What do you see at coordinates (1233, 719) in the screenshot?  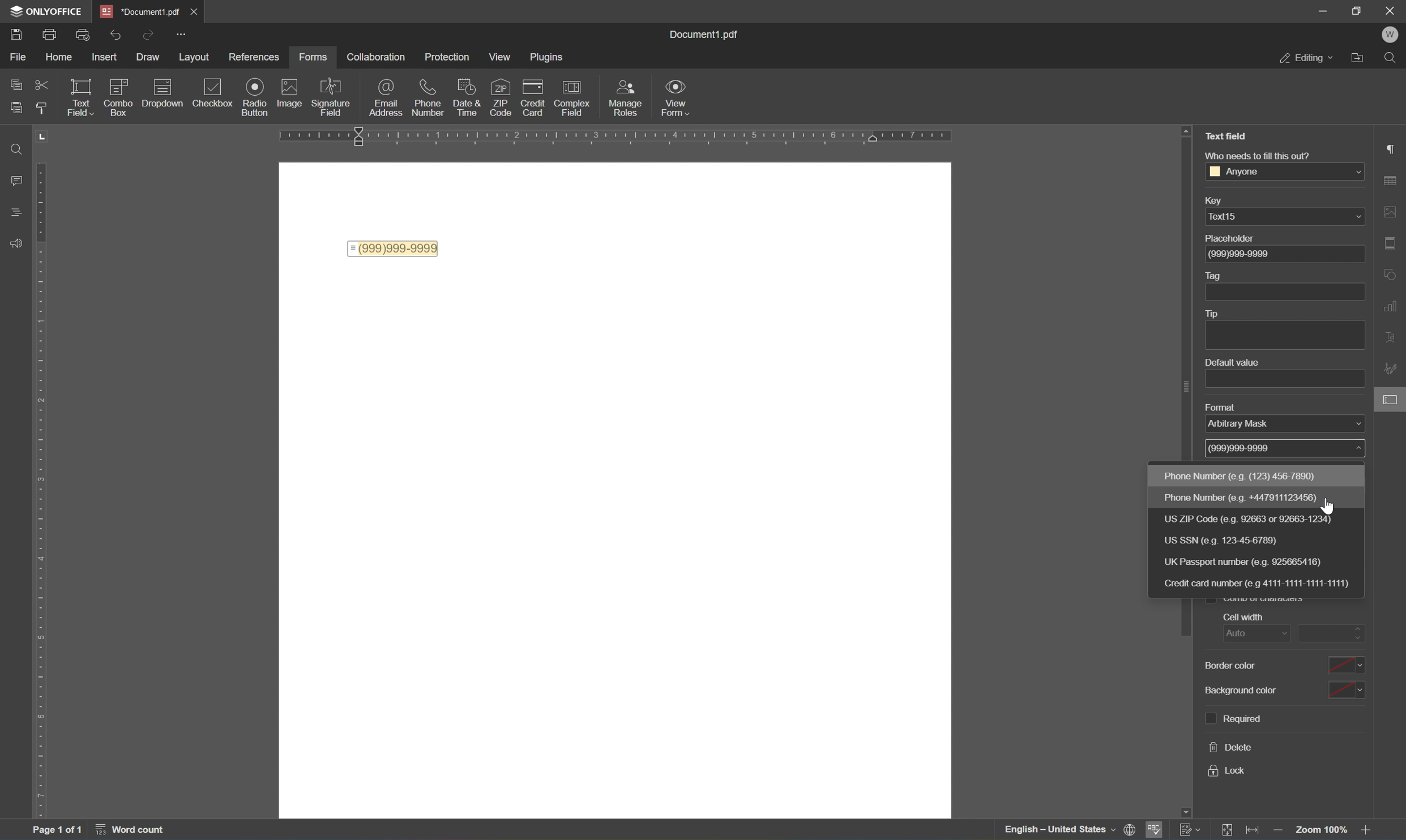 I see `required` at bounding box center [1233, 719].